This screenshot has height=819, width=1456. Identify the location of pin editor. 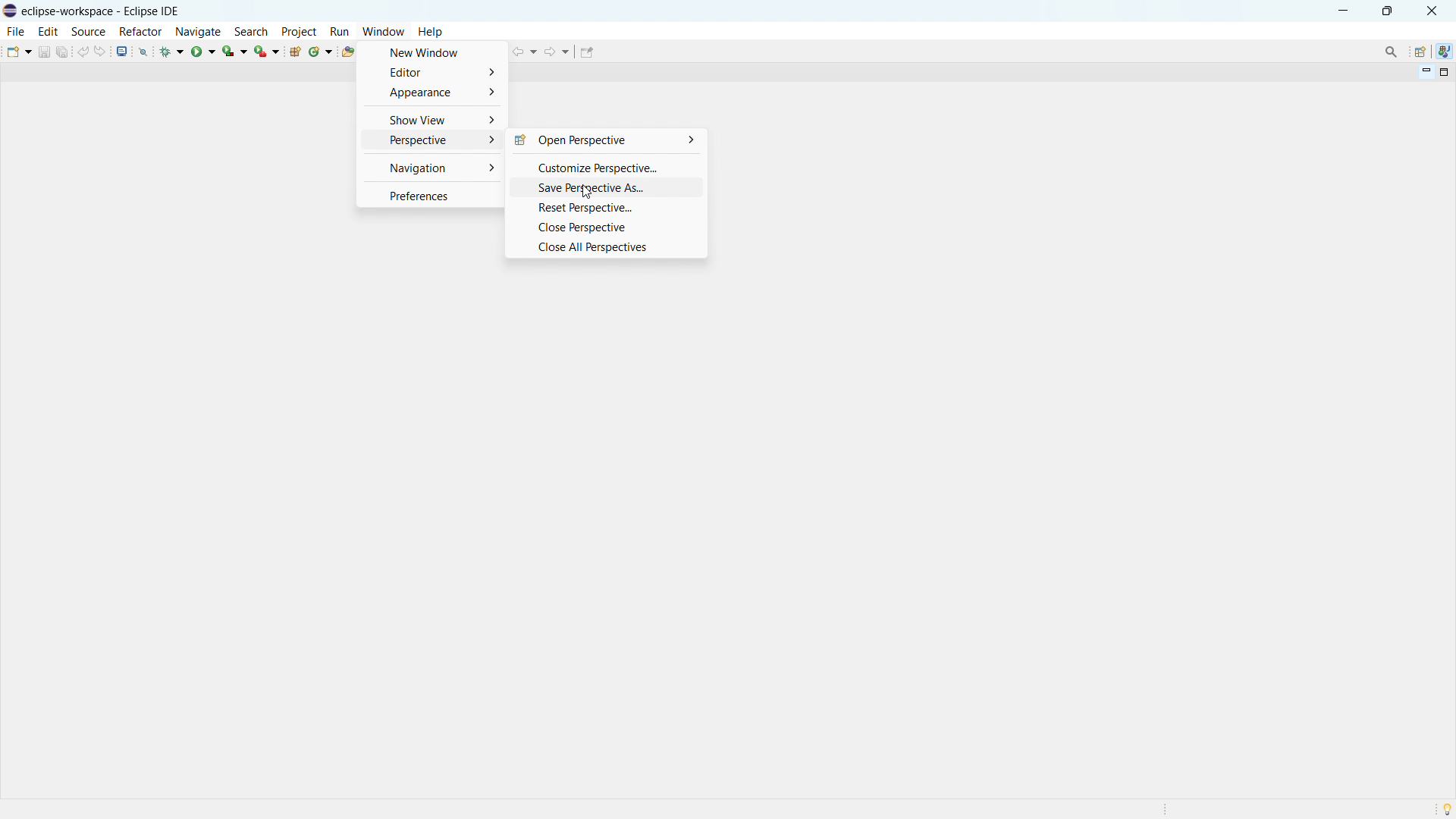
(587, 52).